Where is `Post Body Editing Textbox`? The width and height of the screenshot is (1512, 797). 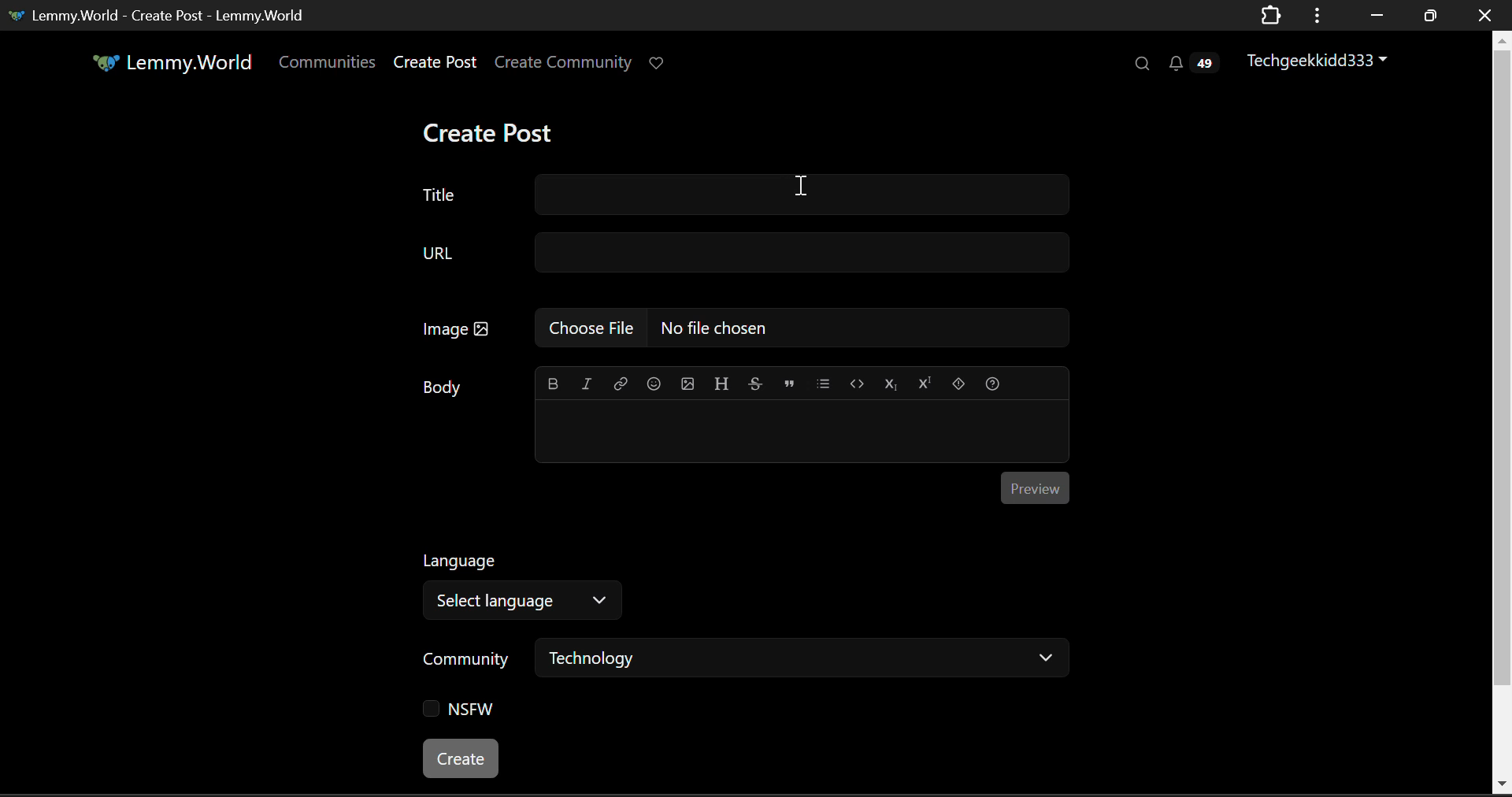
Post Body Editing Textbox is located at coordinates (800, 433).